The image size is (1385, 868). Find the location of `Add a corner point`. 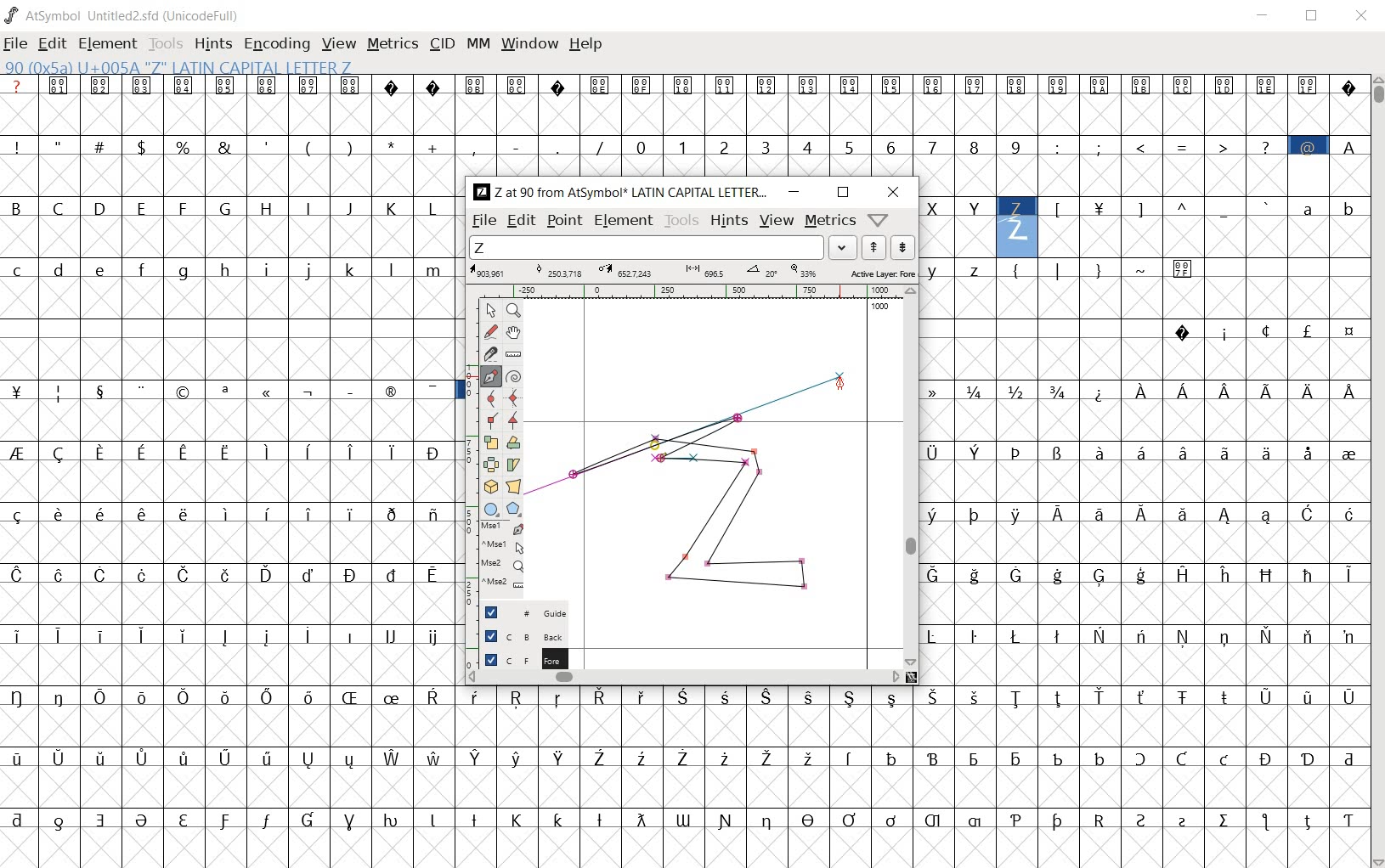

Add a corner point is located at coordinates (490, 420).